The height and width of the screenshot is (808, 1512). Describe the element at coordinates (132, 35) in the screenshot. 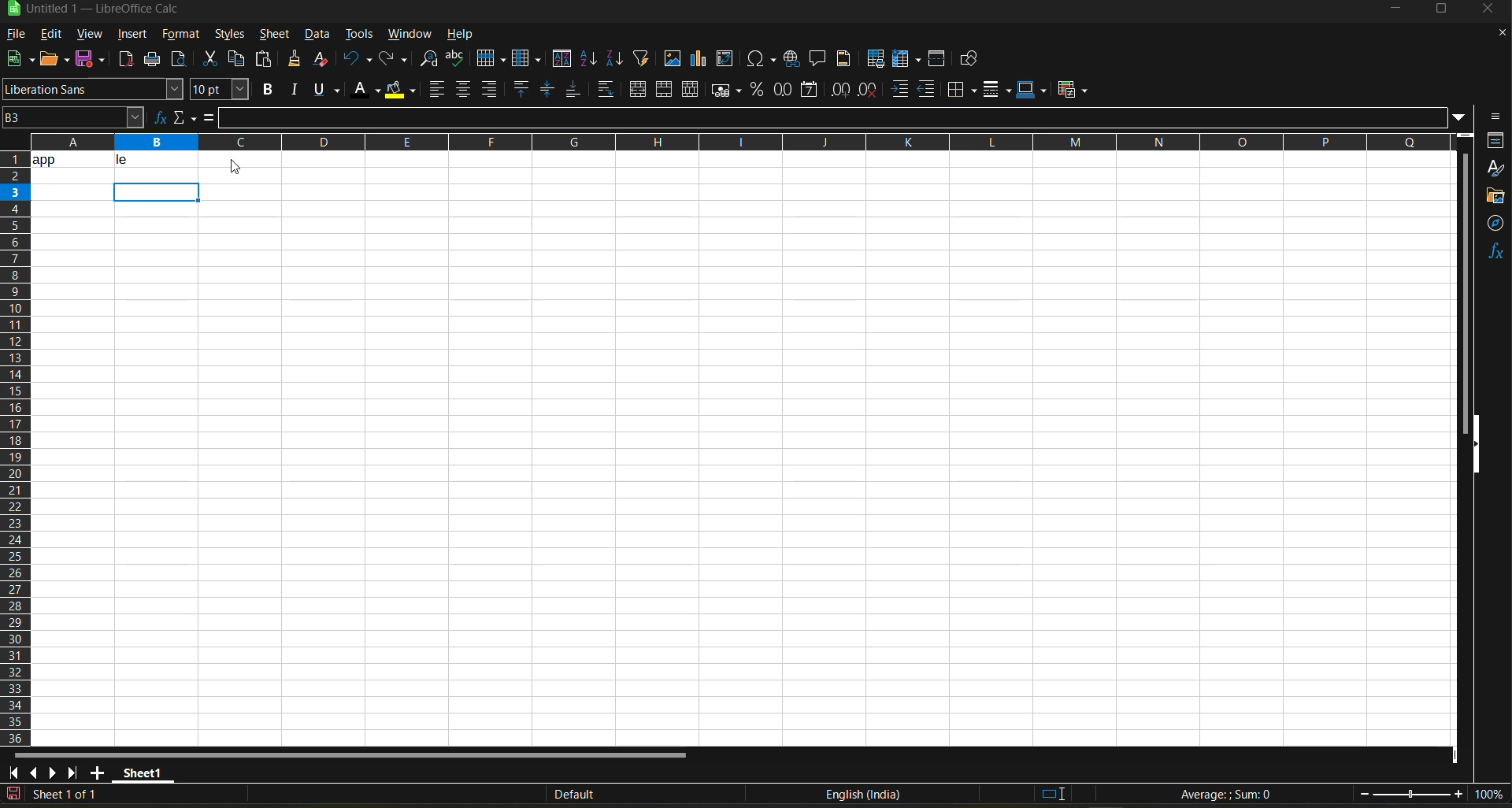

I see `insert` at that location.